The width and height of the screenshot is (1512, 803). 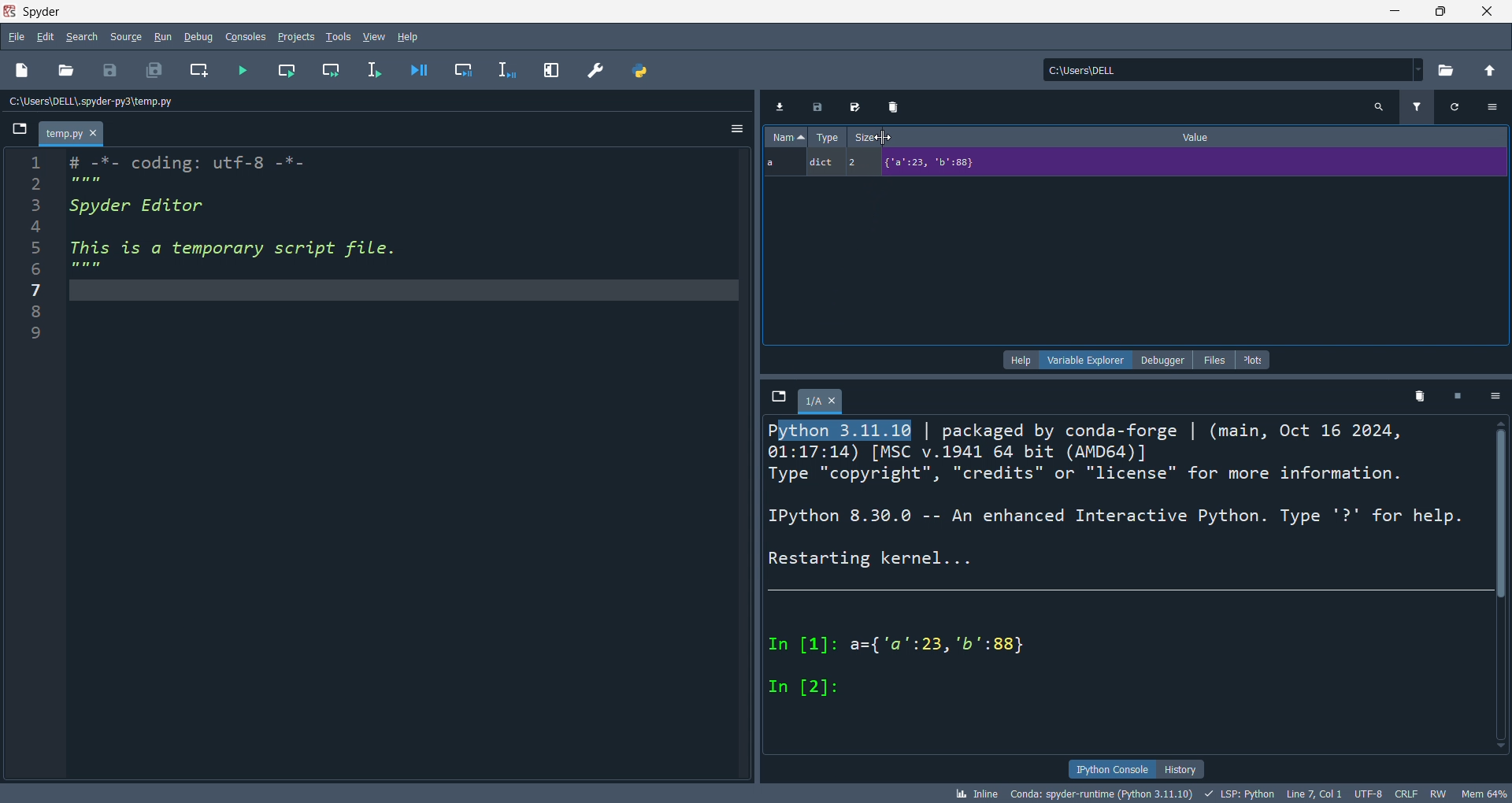 What do you see at coordinates (69, 134) in the screenshot?
I see `tab` at bounding box center [69, 134].